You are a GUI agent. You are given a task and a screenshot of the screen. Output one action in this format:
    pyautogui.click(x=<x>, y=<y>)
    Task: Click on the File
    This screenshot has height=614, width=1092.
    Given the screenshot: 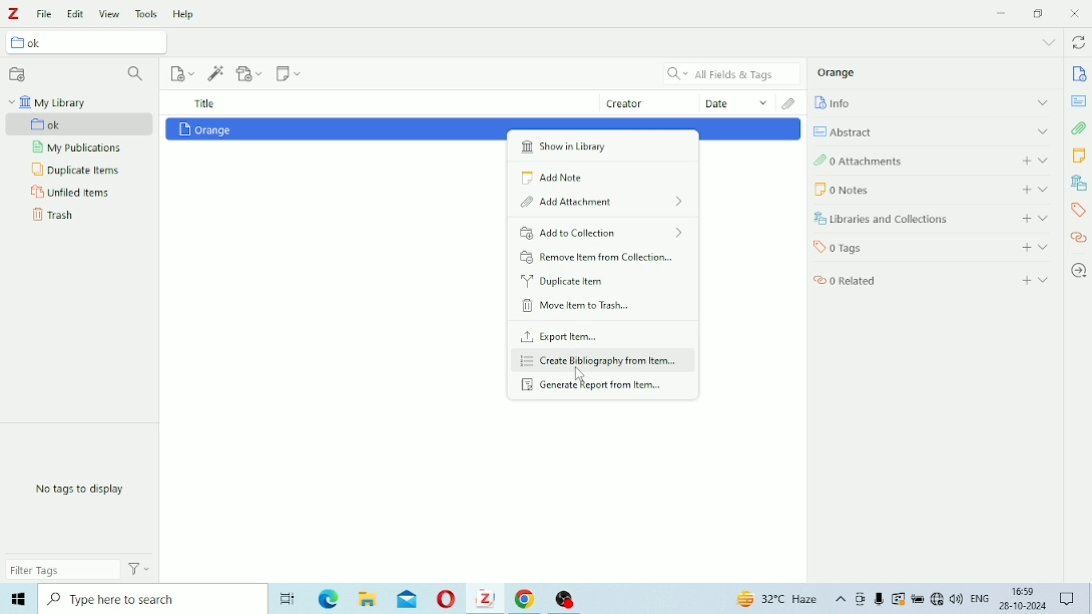 What is the action you would take?
    pyautogui.click(x=45, y=14)
    